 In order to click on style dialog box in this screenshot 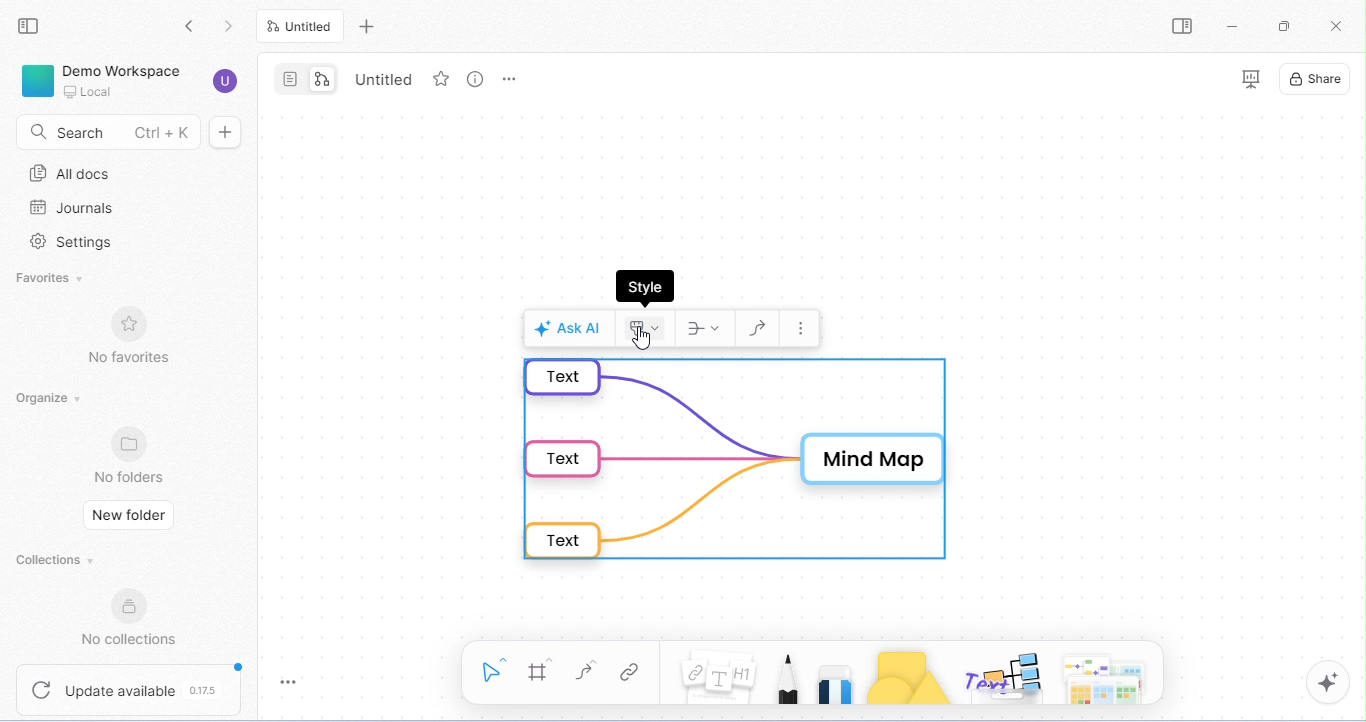, I will do `click(644, 286)`.